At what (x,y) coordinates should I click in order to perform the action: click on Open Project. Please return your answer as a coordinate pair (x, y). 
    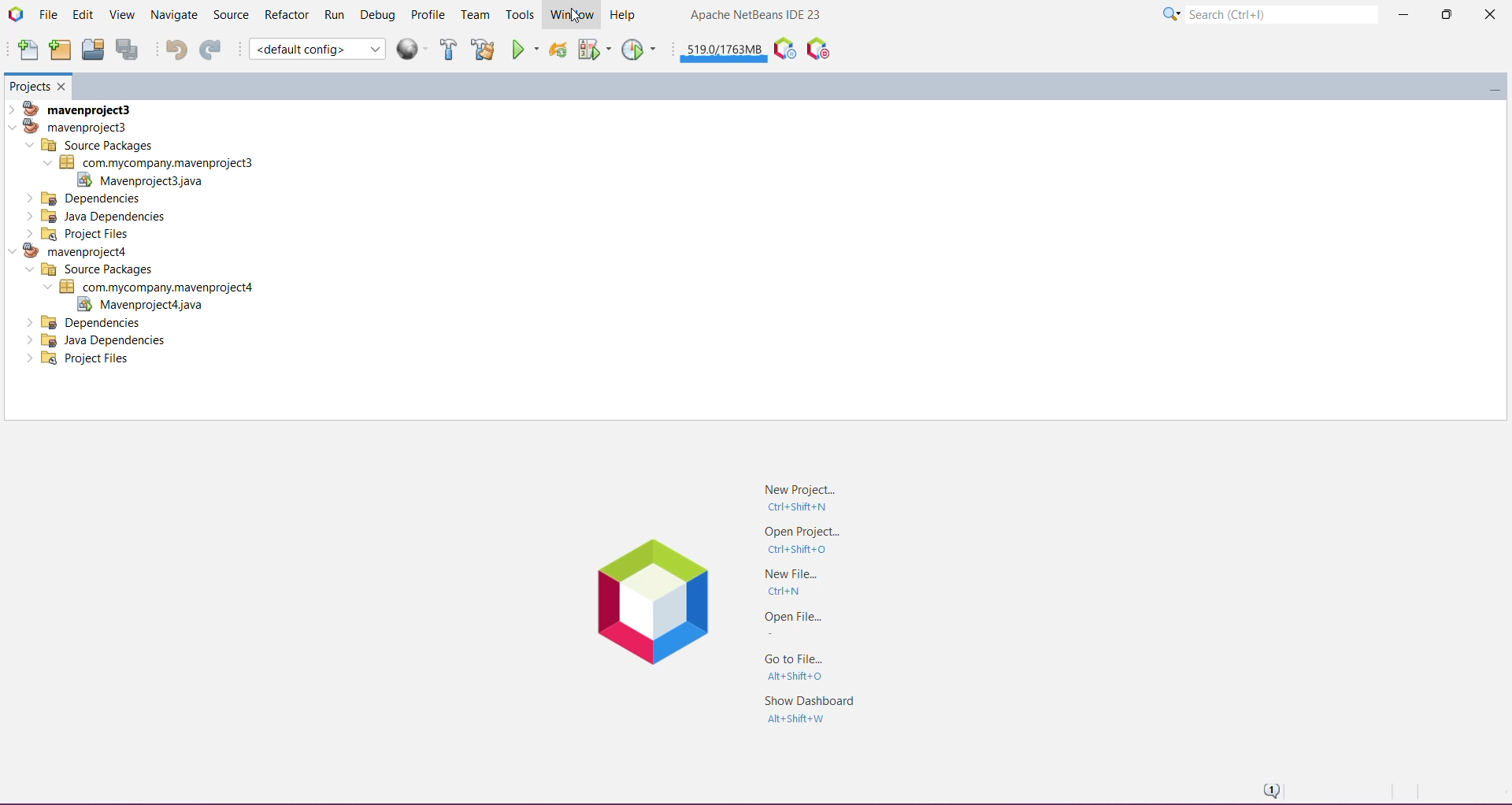
    Looking at the image, I should click on (92, 49).